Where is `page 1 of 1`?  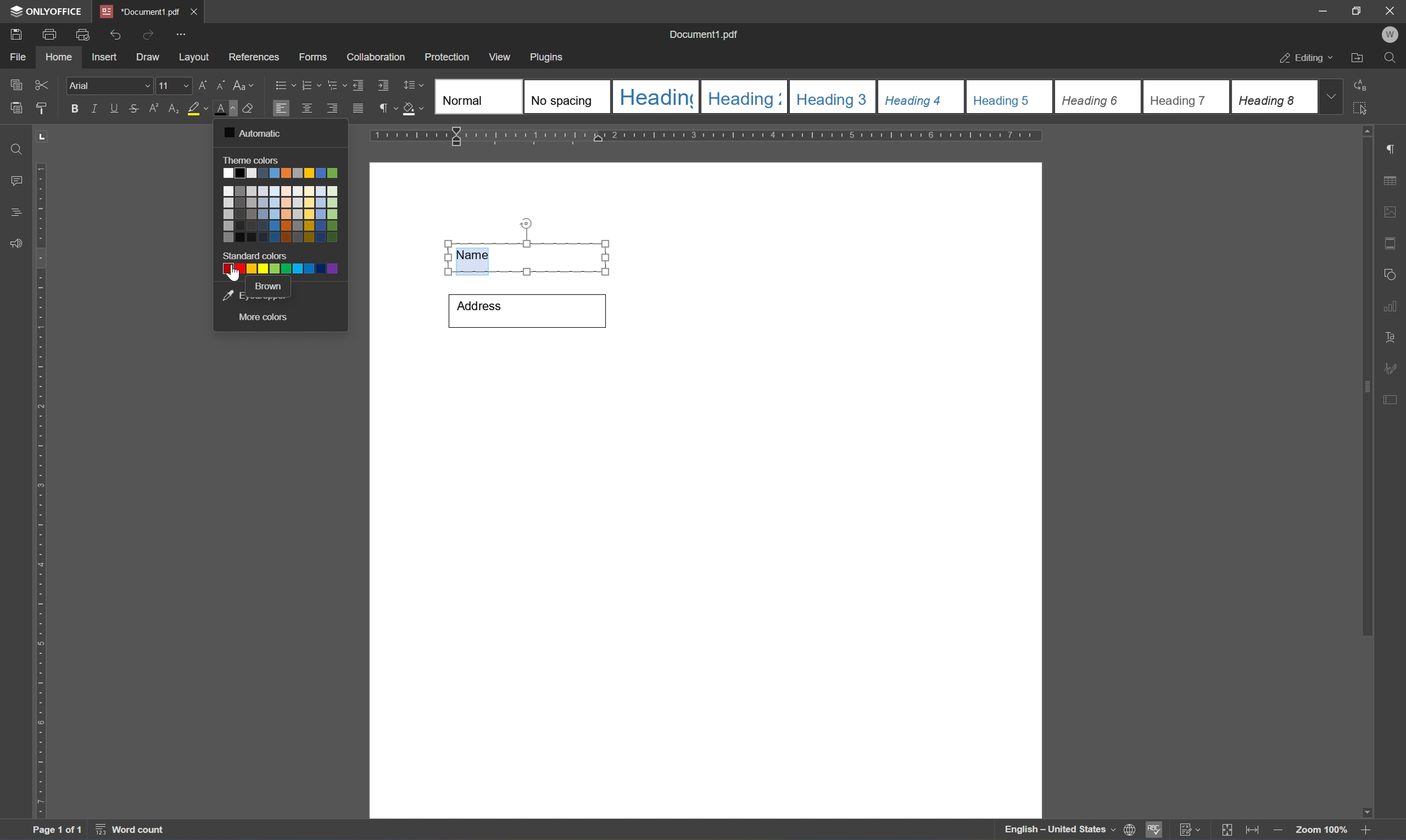 page 1 of 1 is located at coordinates (59, 830).